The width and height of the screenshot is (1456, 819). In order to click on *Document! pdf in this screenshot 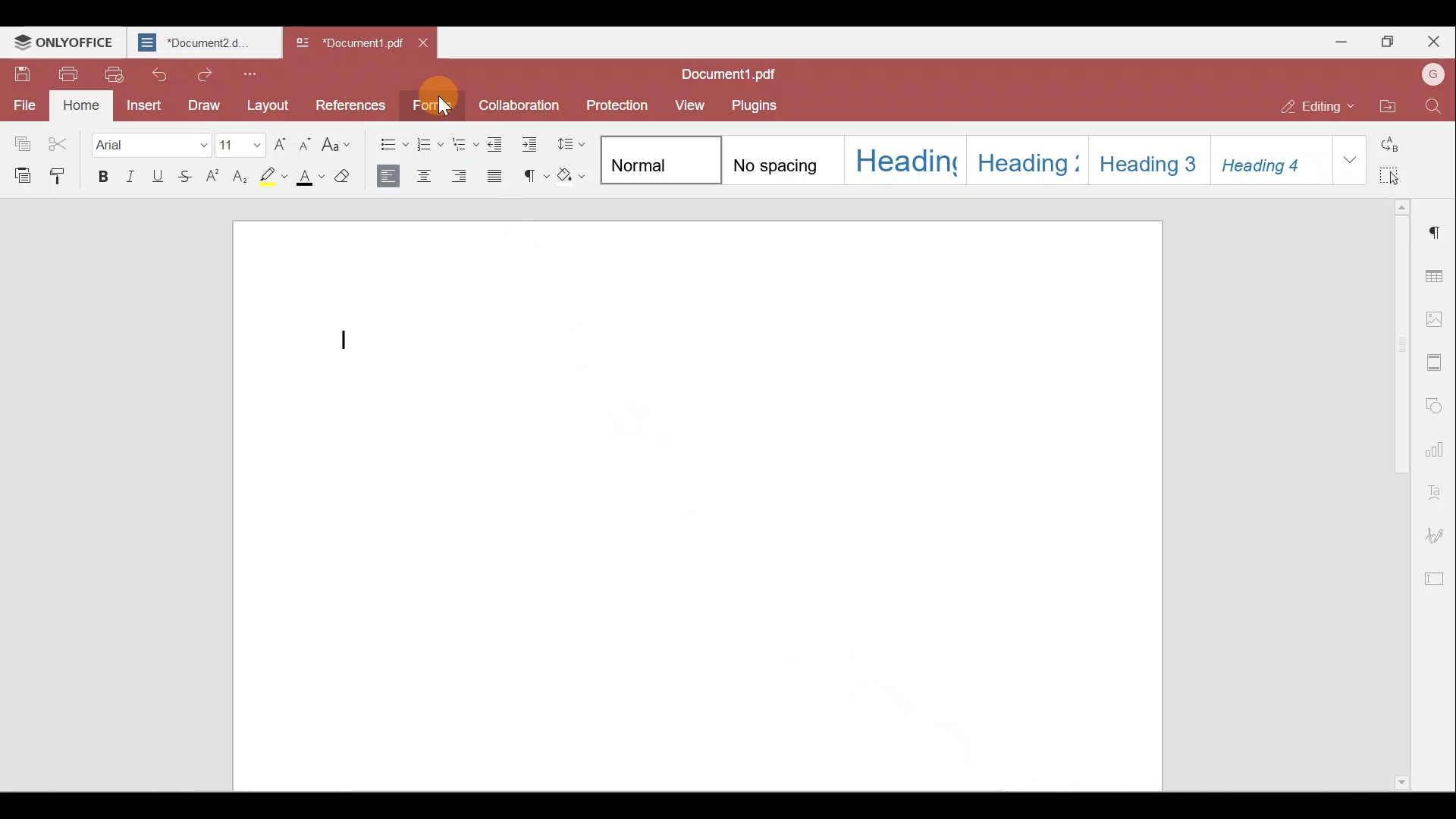, I will do `click(344, 45)`.